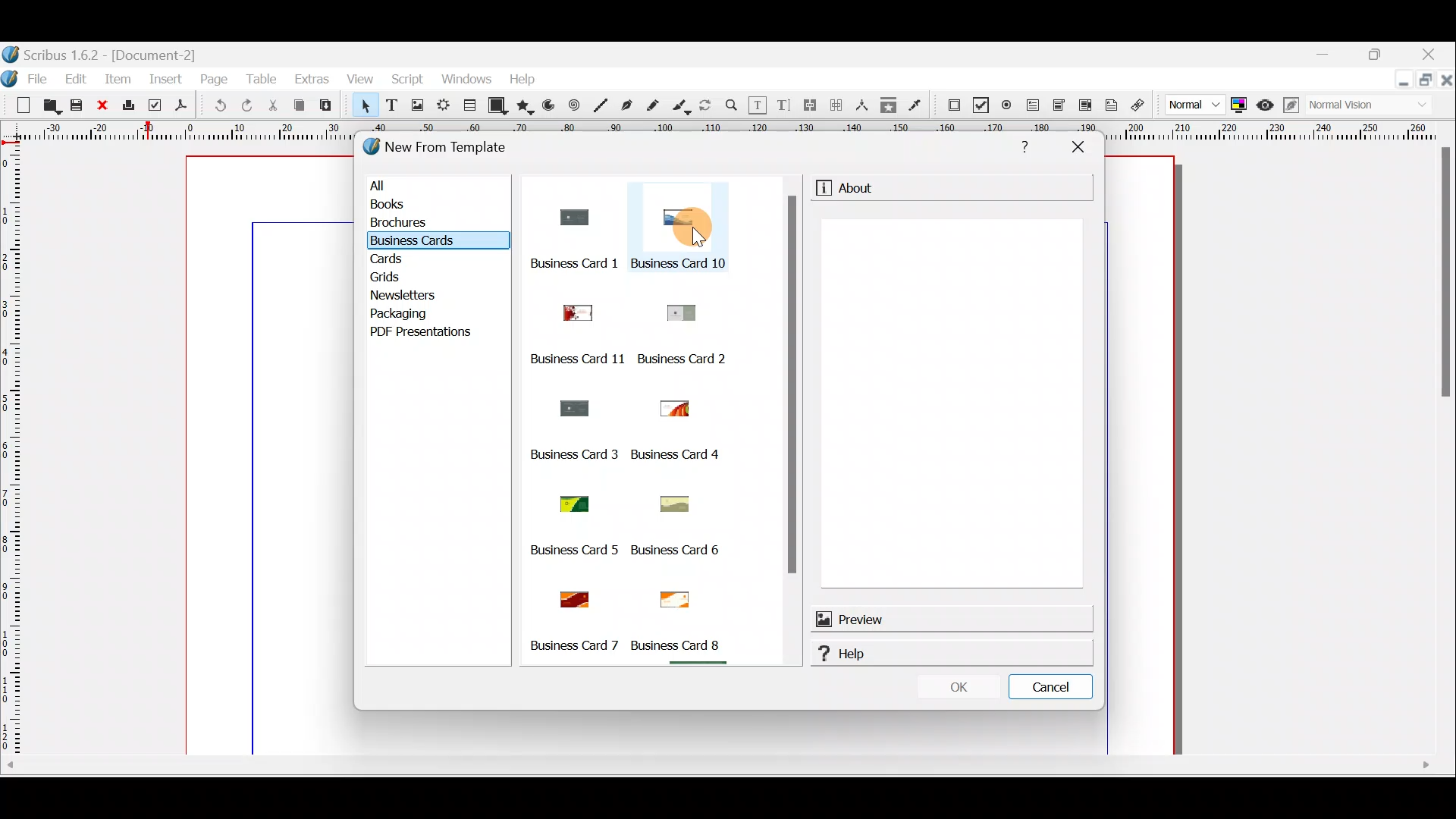 The image size is (1456, 819). I want to click on Polygon, so click(526, 106).